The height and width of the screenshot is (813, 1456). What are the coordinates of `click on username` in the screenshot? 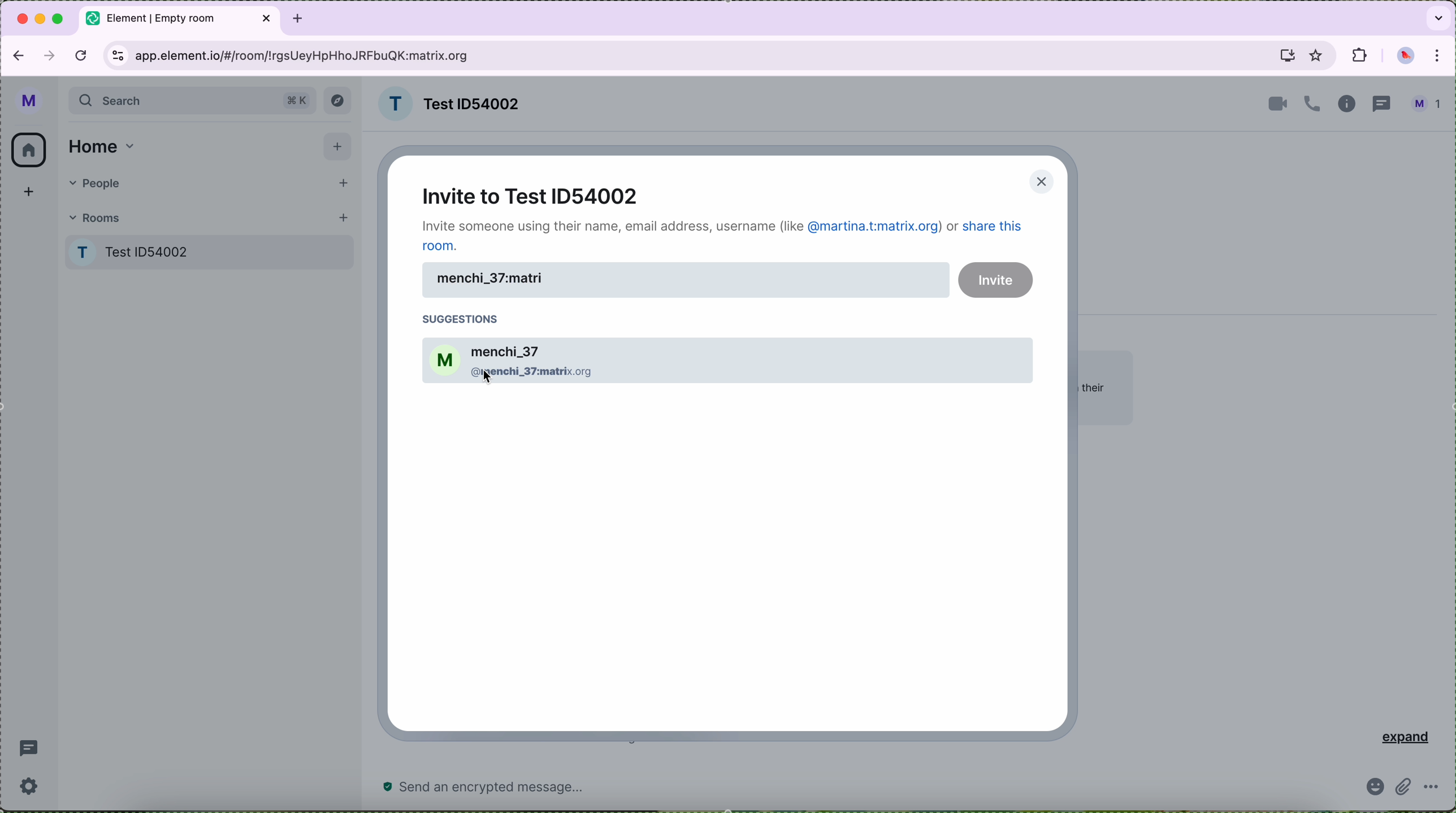 It's located at (724, 360).